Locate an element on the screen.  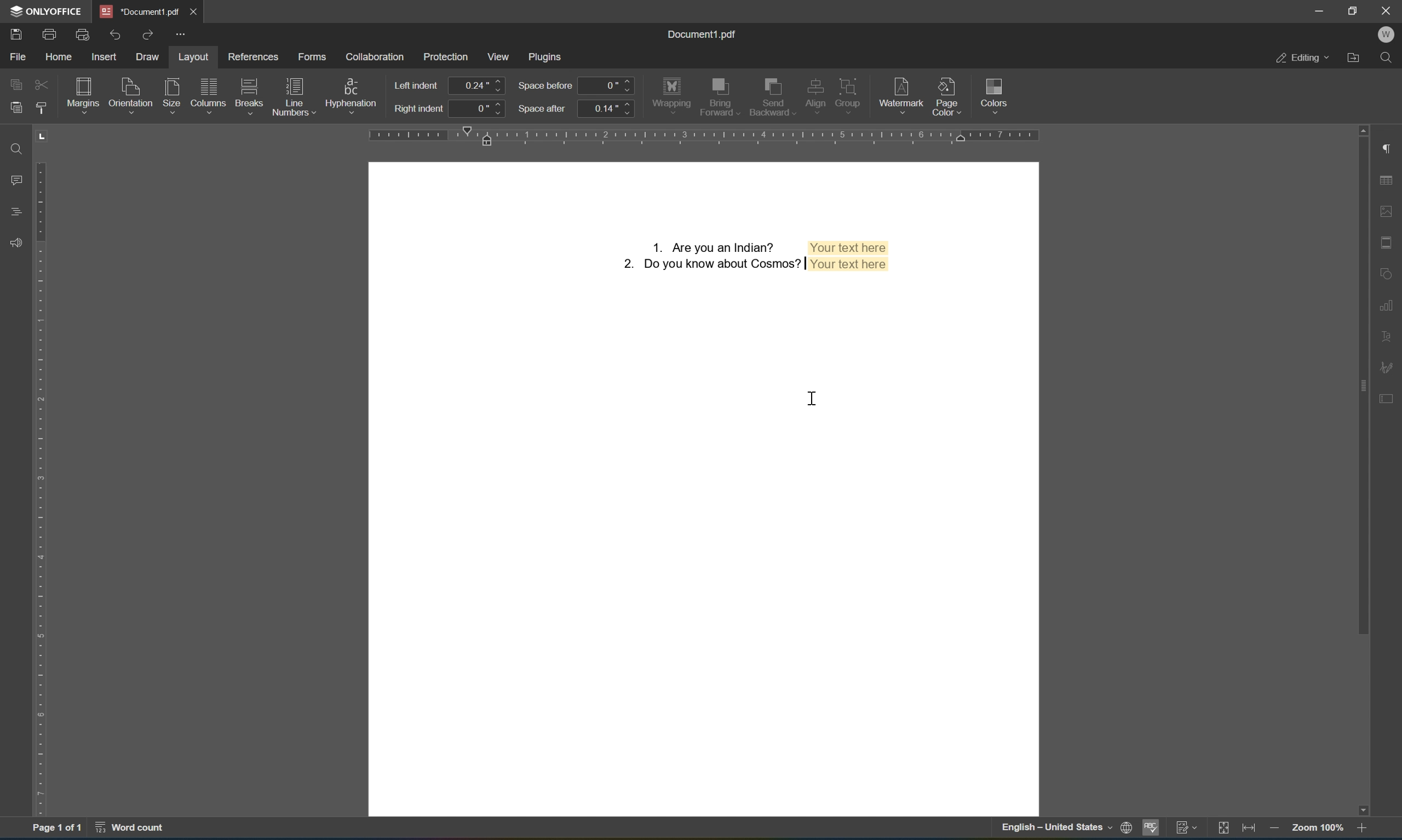
cut is located at coordinates (41, 84).